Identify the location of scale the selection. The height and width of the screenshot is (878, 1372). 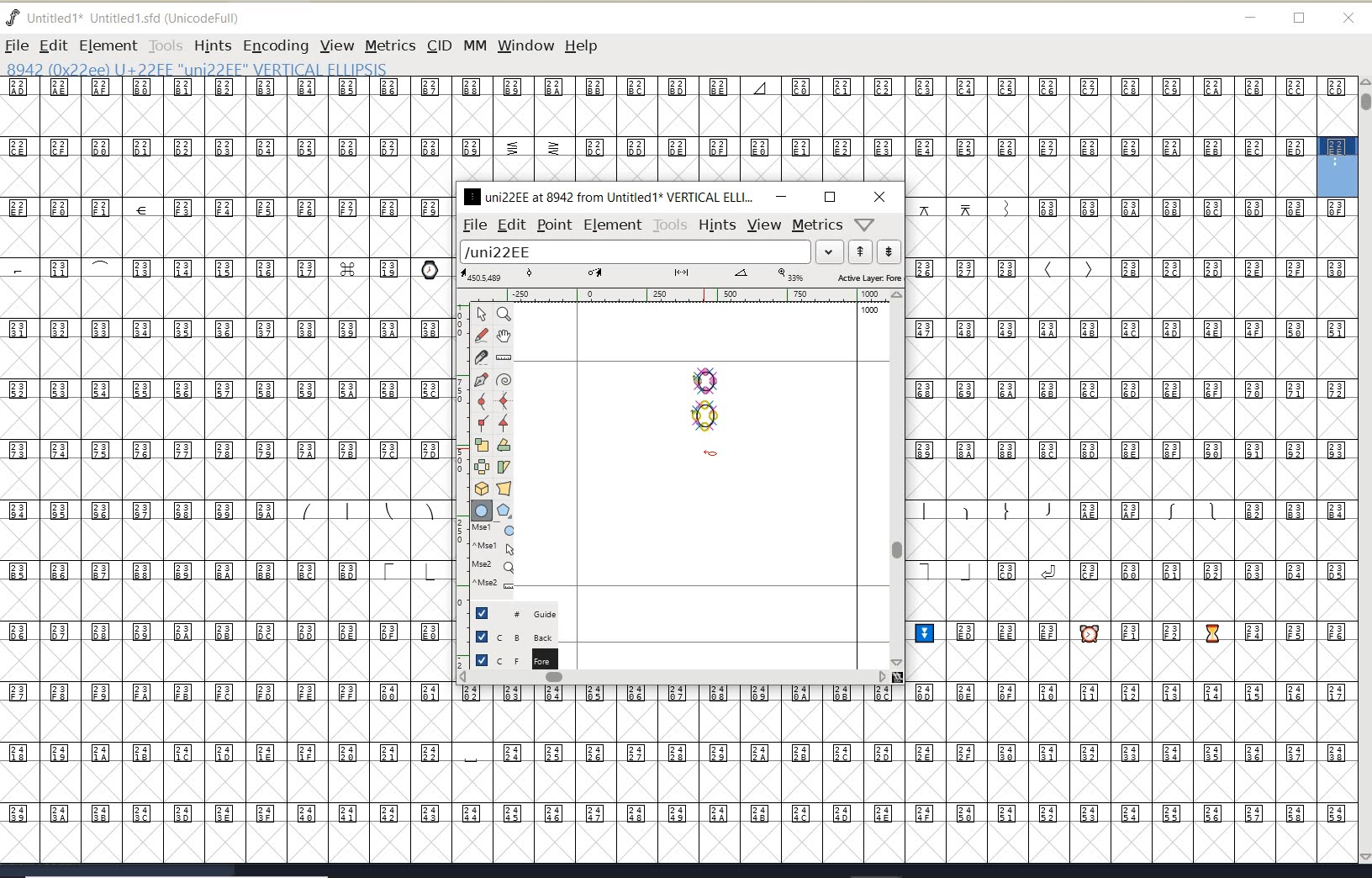
(482, 445).